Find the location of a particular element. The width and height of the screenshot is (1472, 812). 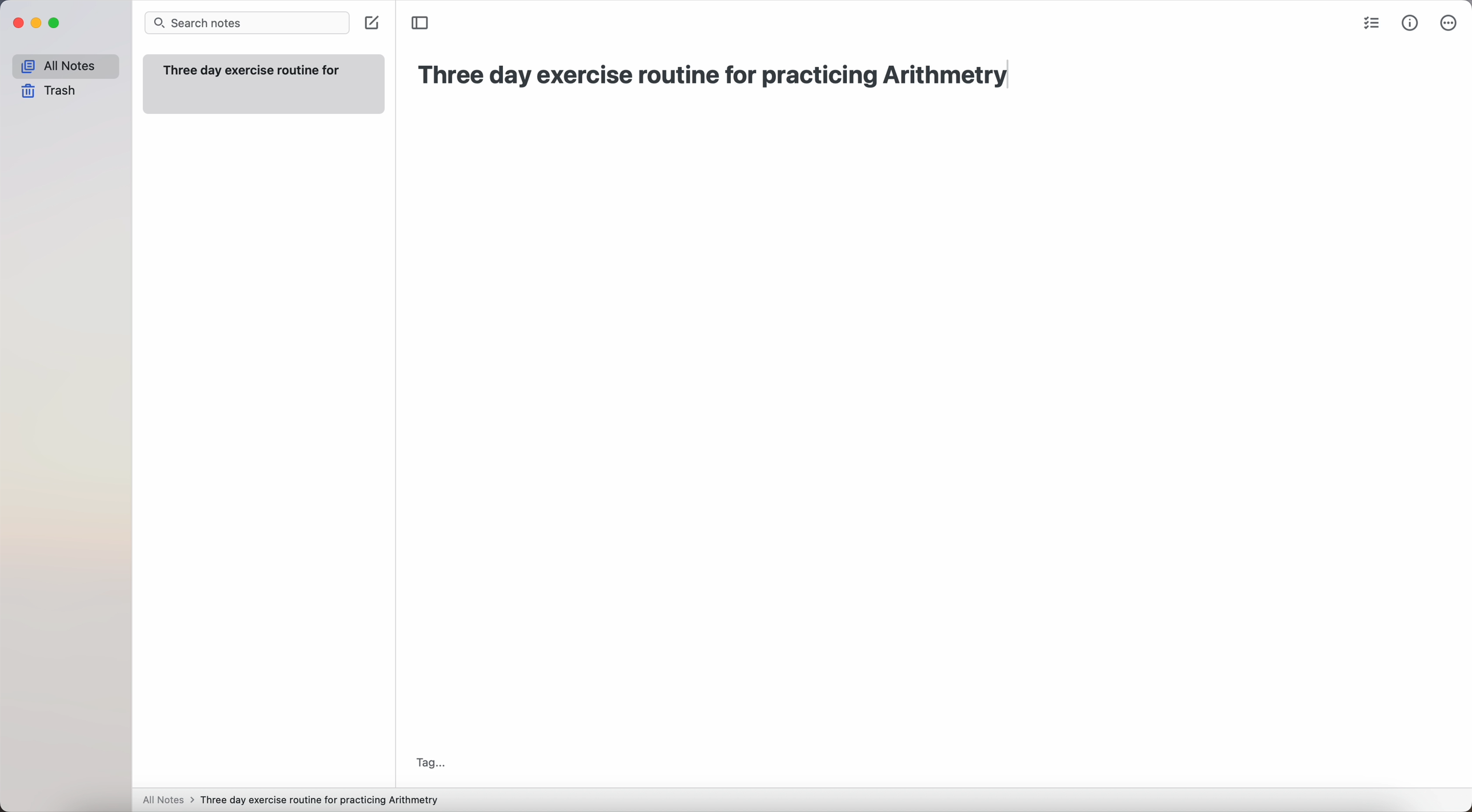

close is located at coordinates (18, 23).